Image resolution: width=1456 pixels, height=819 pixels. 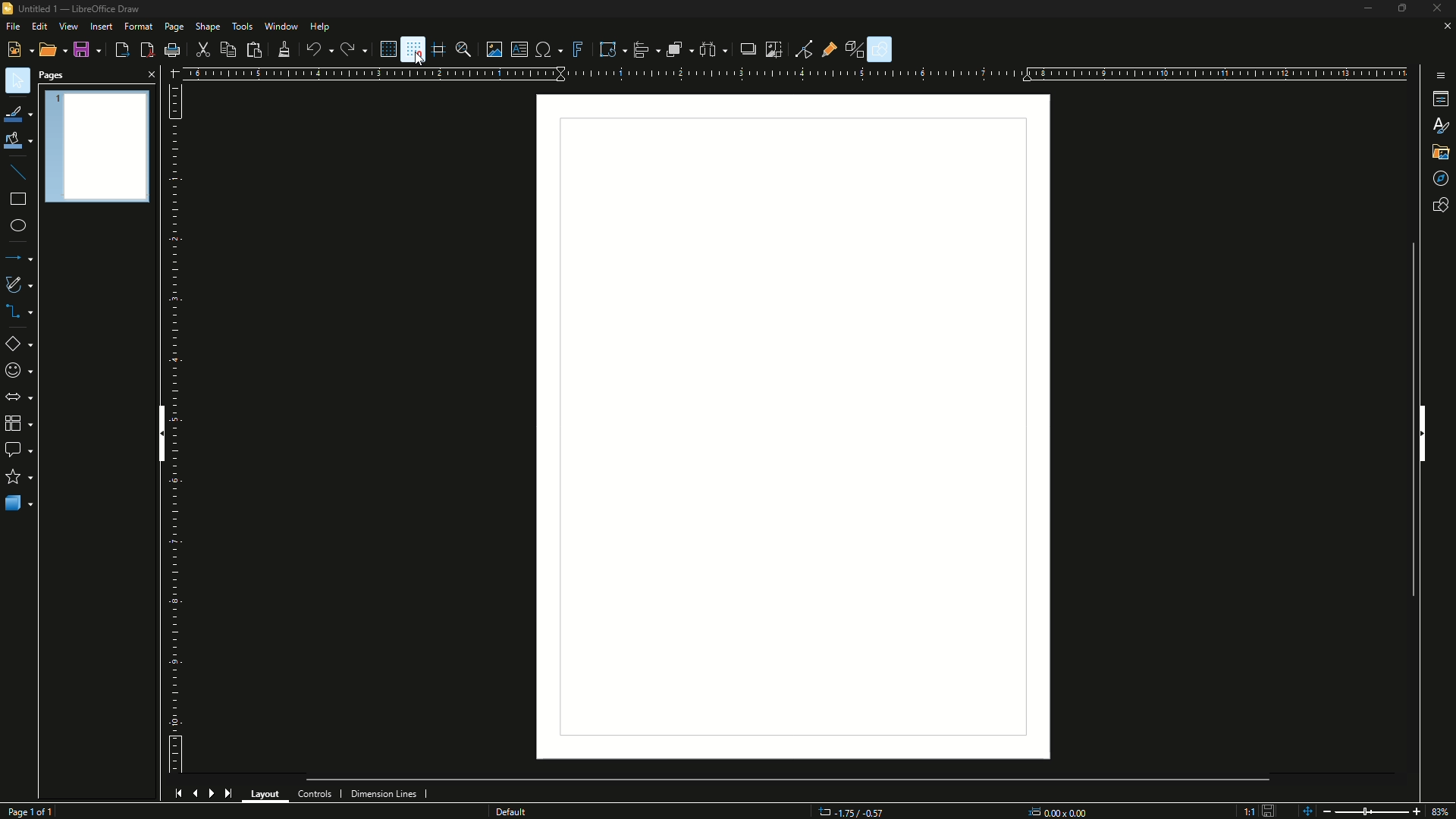 What do you see at coordinates (23, 477) in the screenshot?
I see `Stars and banners` at bounding box center [23, 477].